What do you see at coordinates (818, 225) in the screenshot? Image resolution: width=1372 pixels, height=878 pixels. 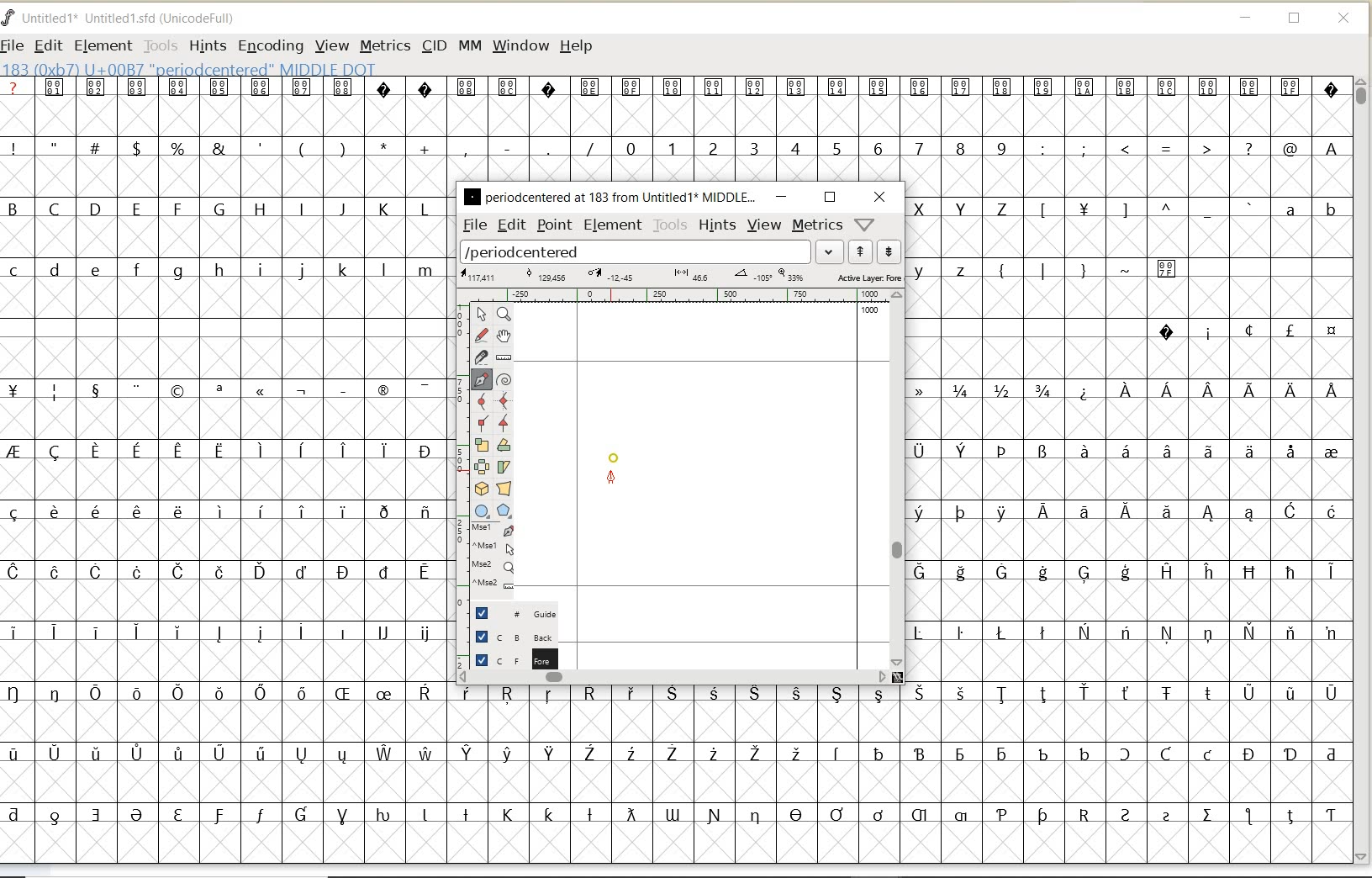 I see `metrics` at bounding box center [818, 225].